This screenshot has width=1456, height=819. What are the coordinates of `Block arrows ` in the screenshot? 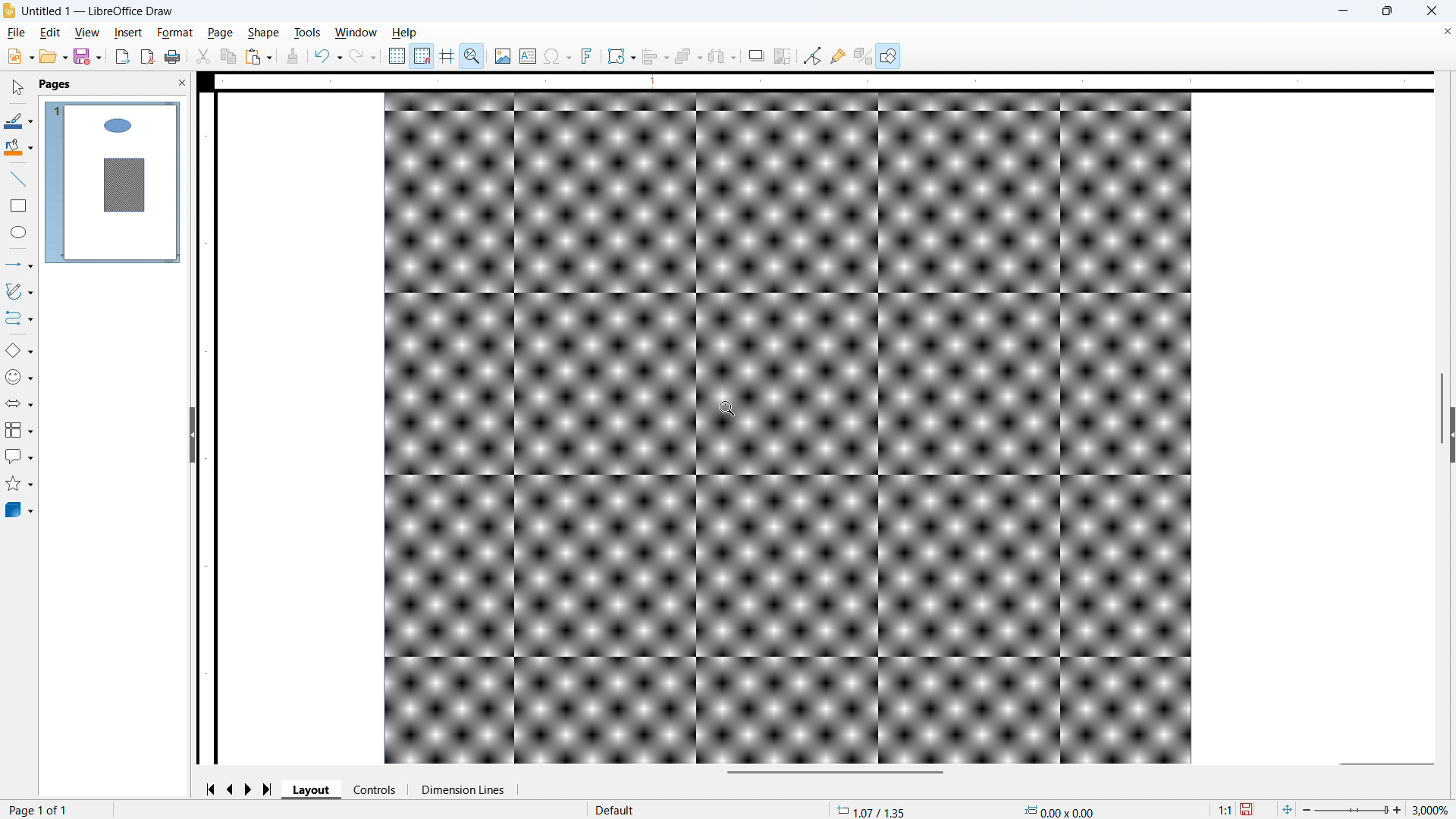 It's located at (19, 403).